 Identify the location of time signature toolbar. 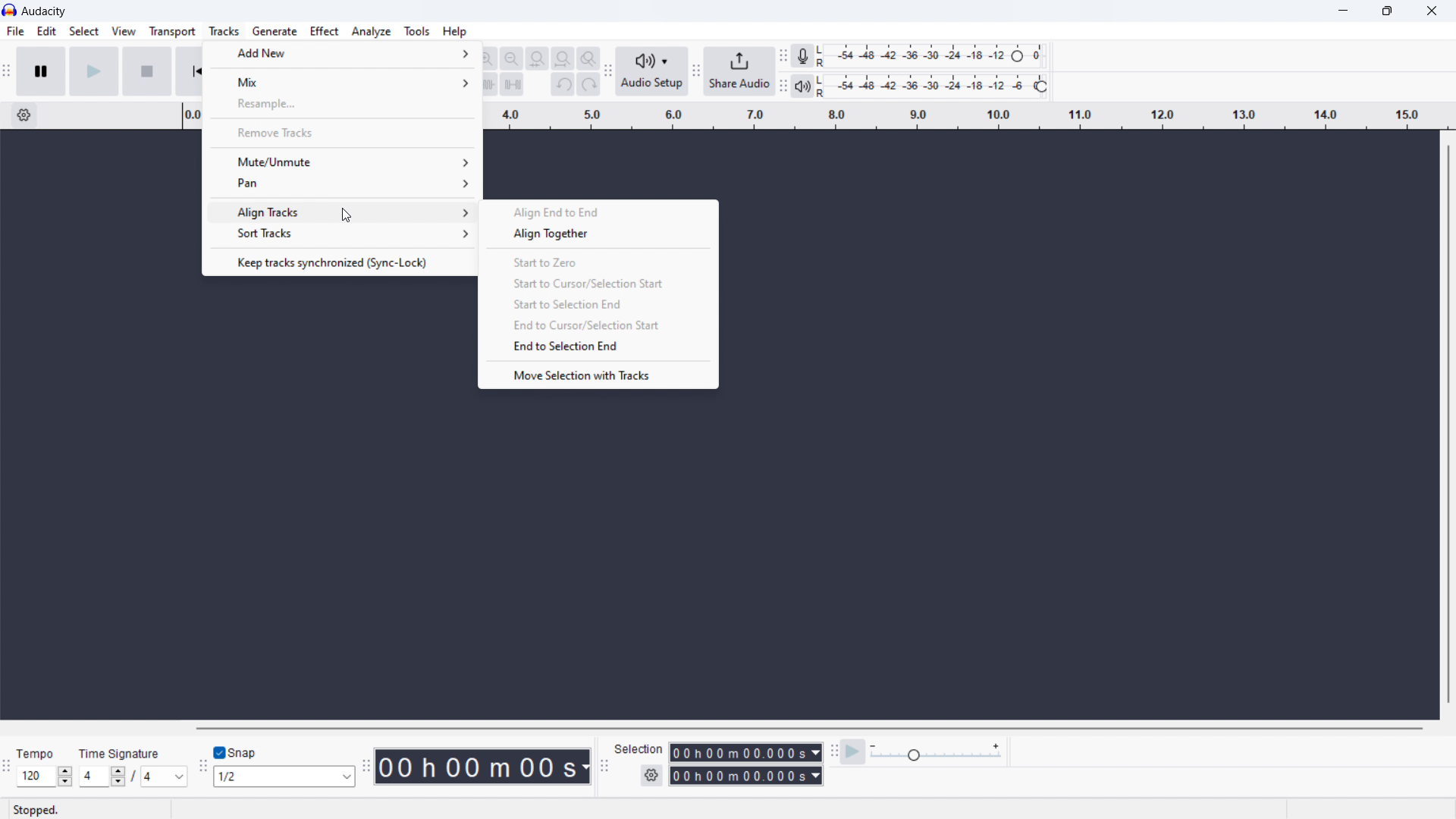
(6, 766).